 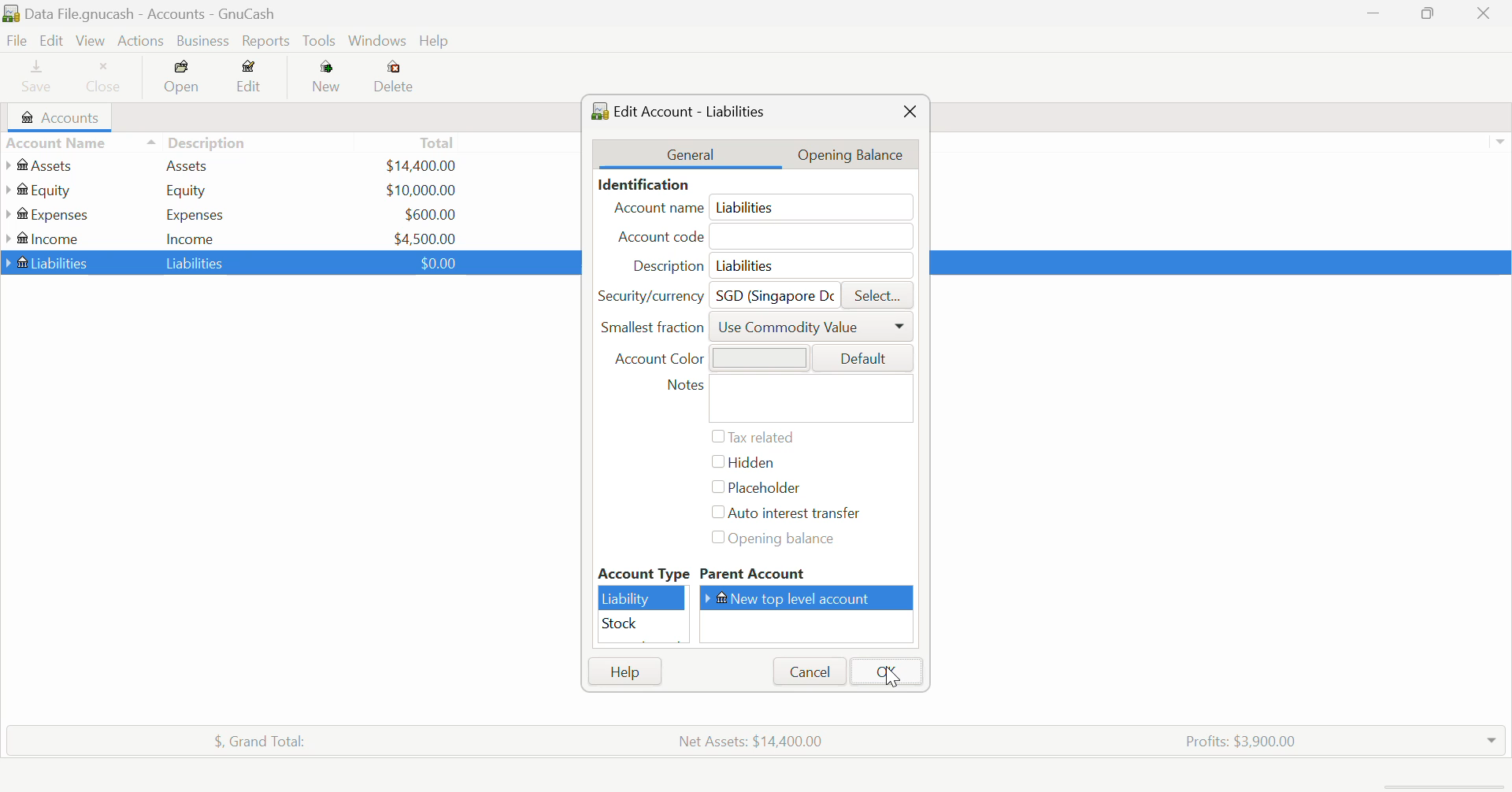 I want to click on Profits, so click(x=1234, y=739).